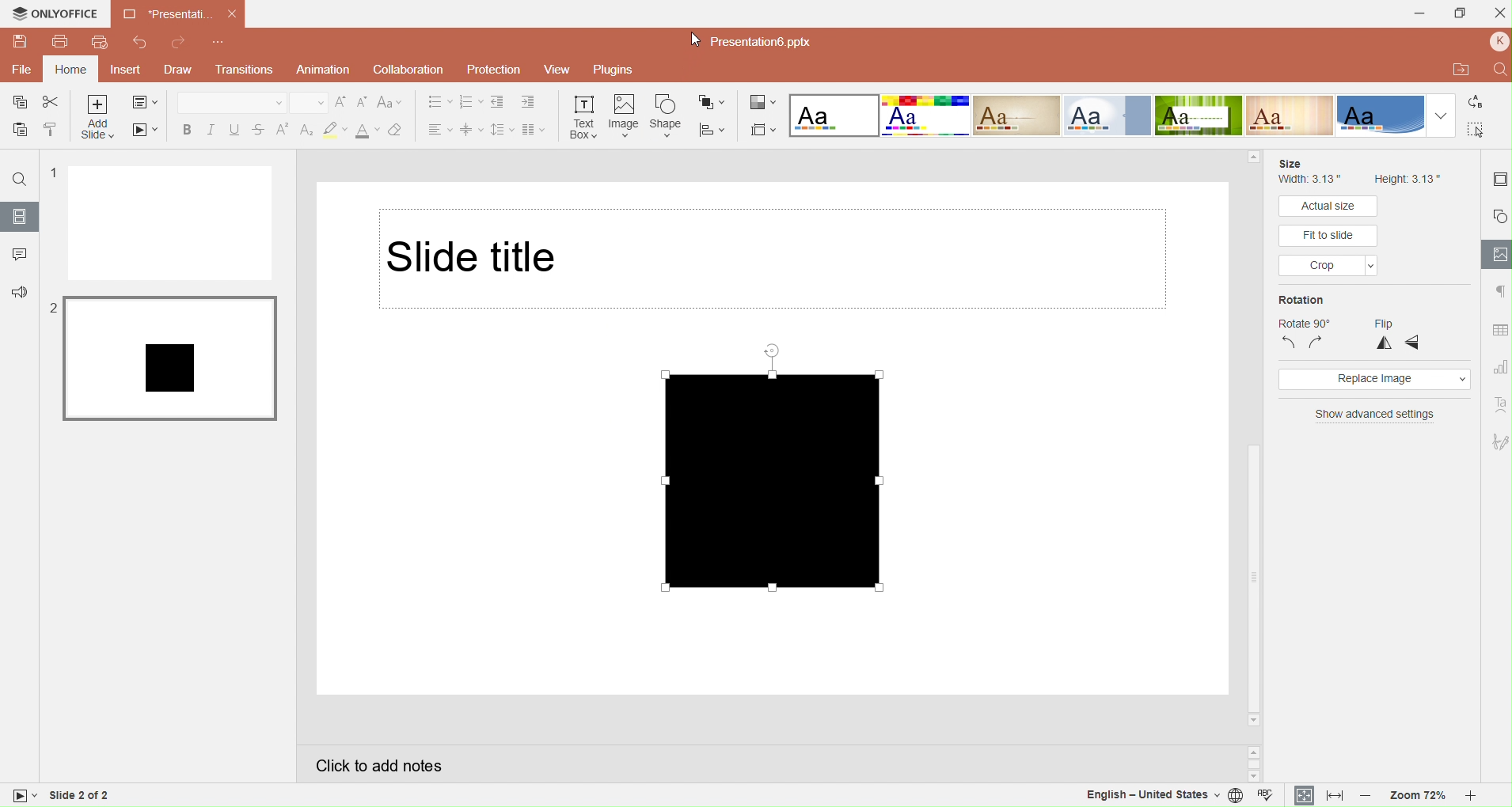 Image resolution: width=1512 pixels, height=807 pixels. I want to click on Spell checking, so click(1268, 795).